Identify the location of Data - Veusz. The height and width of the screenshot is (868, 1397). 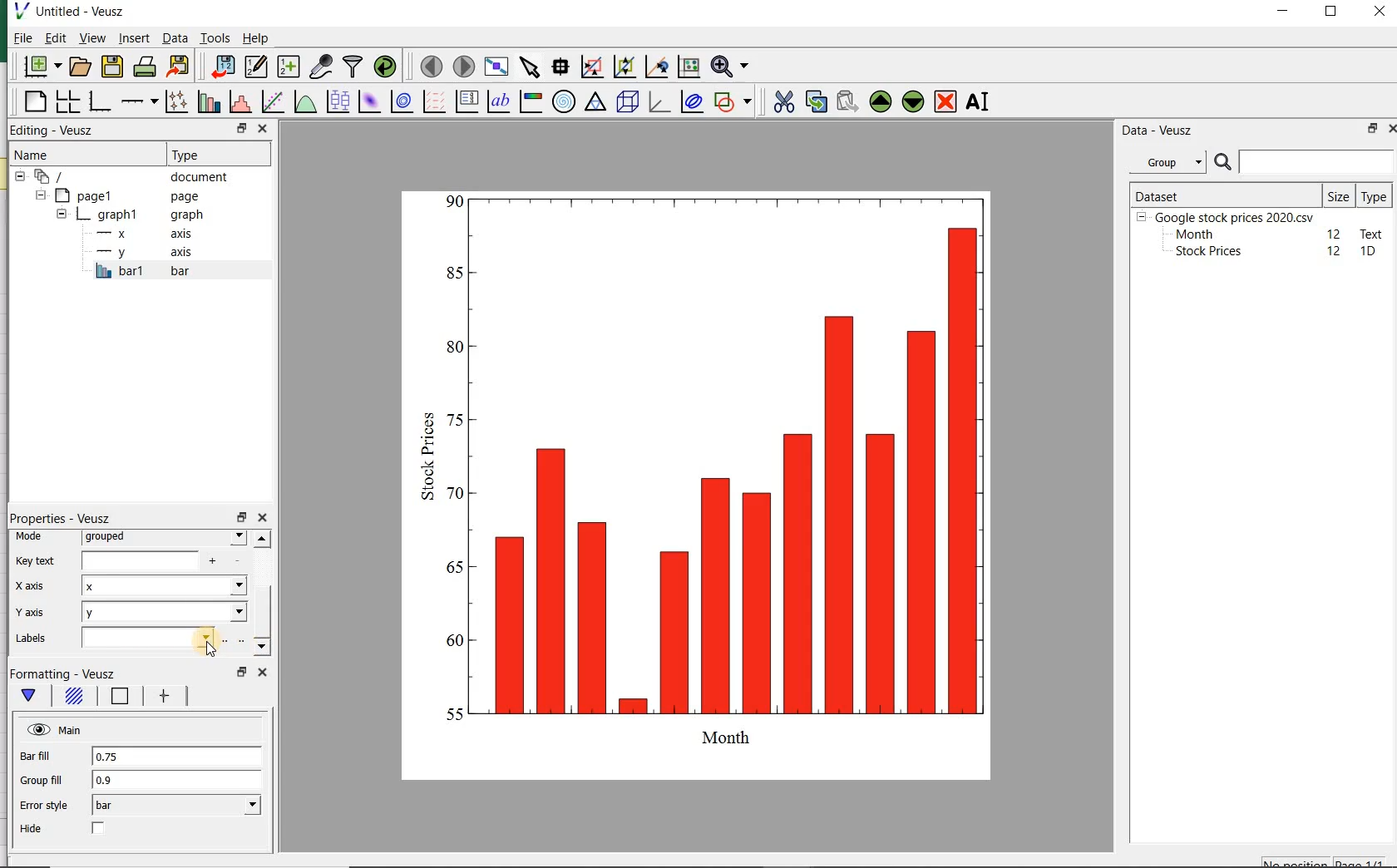
(1158, 130).